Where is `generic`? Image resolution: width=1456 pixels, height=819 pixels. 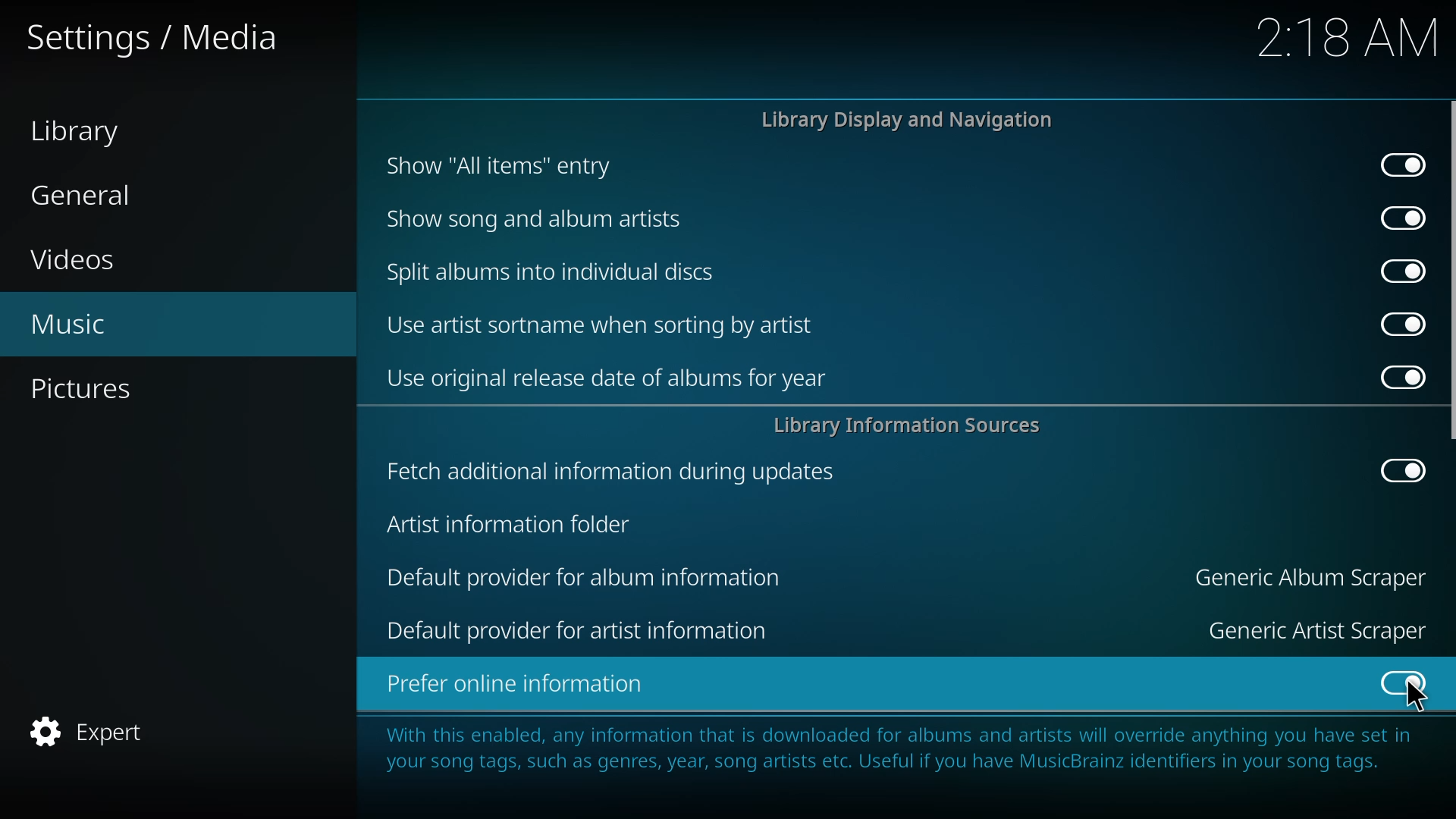
generic is located at coordinates (1317, 629).